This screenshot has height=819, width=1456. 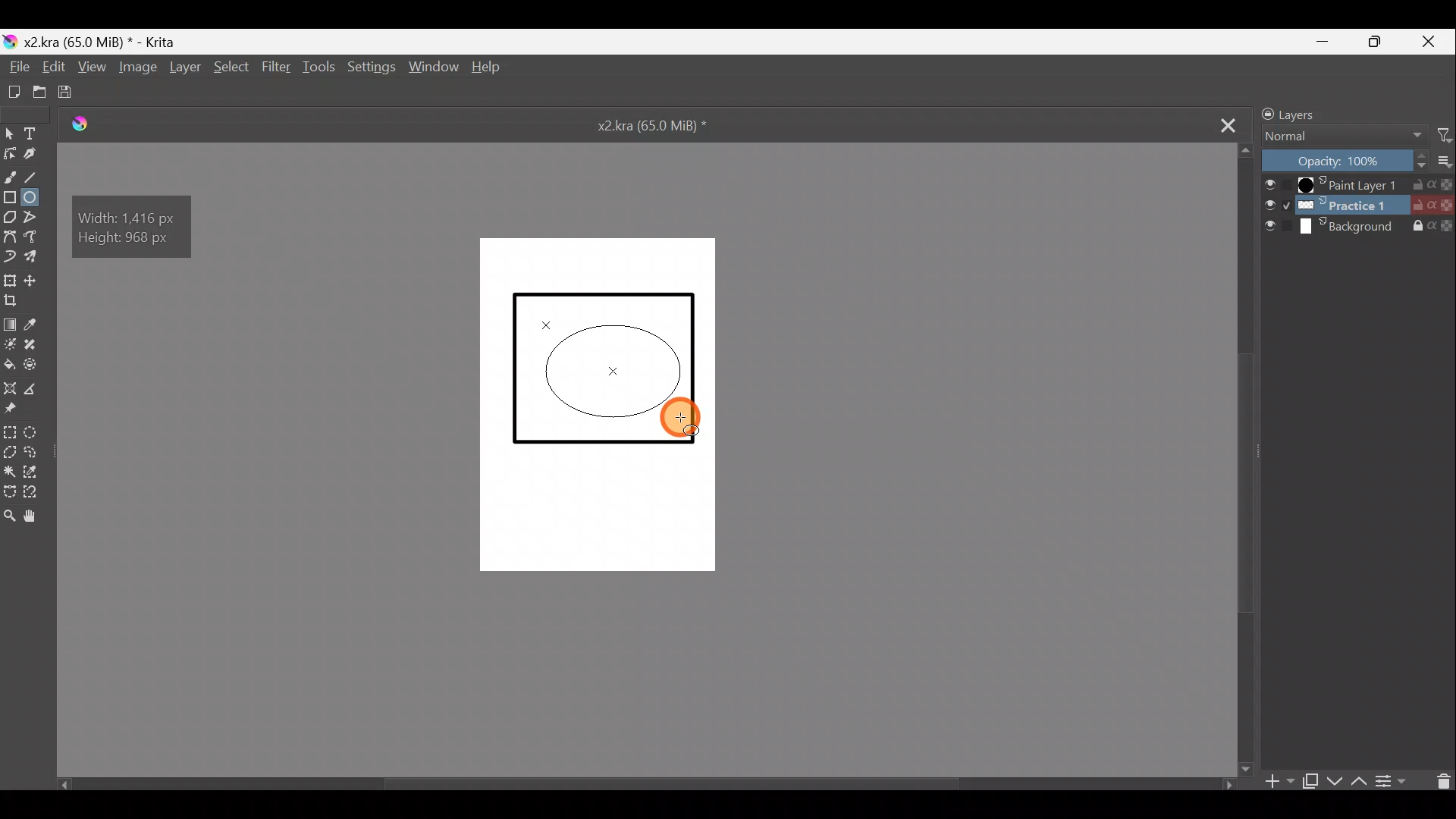 I want to click on Similar colour selection tool, so click(x=34, y=472).